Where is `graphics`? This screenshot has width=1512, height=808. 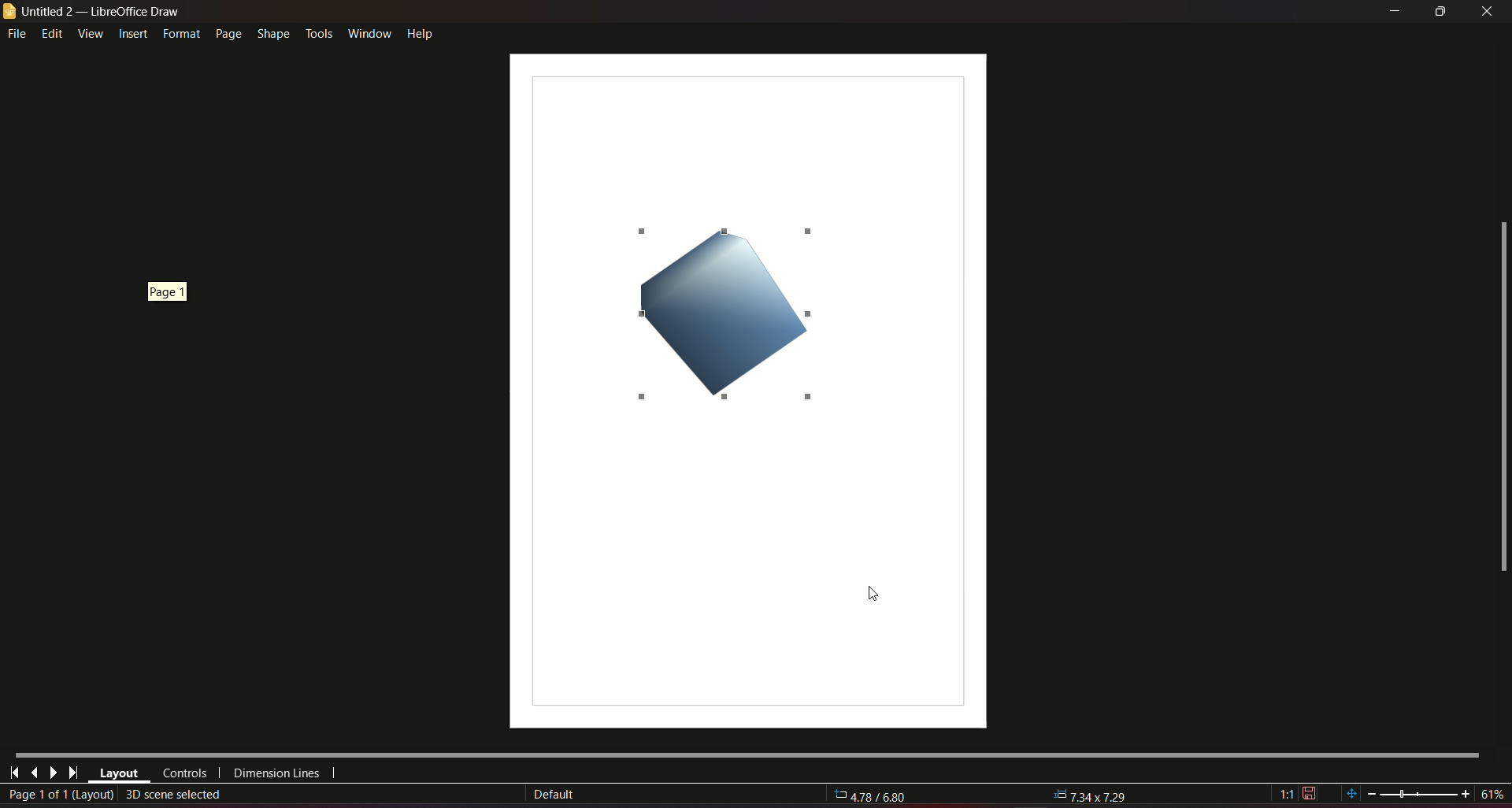 graphics is located at coordinates (712, 309).